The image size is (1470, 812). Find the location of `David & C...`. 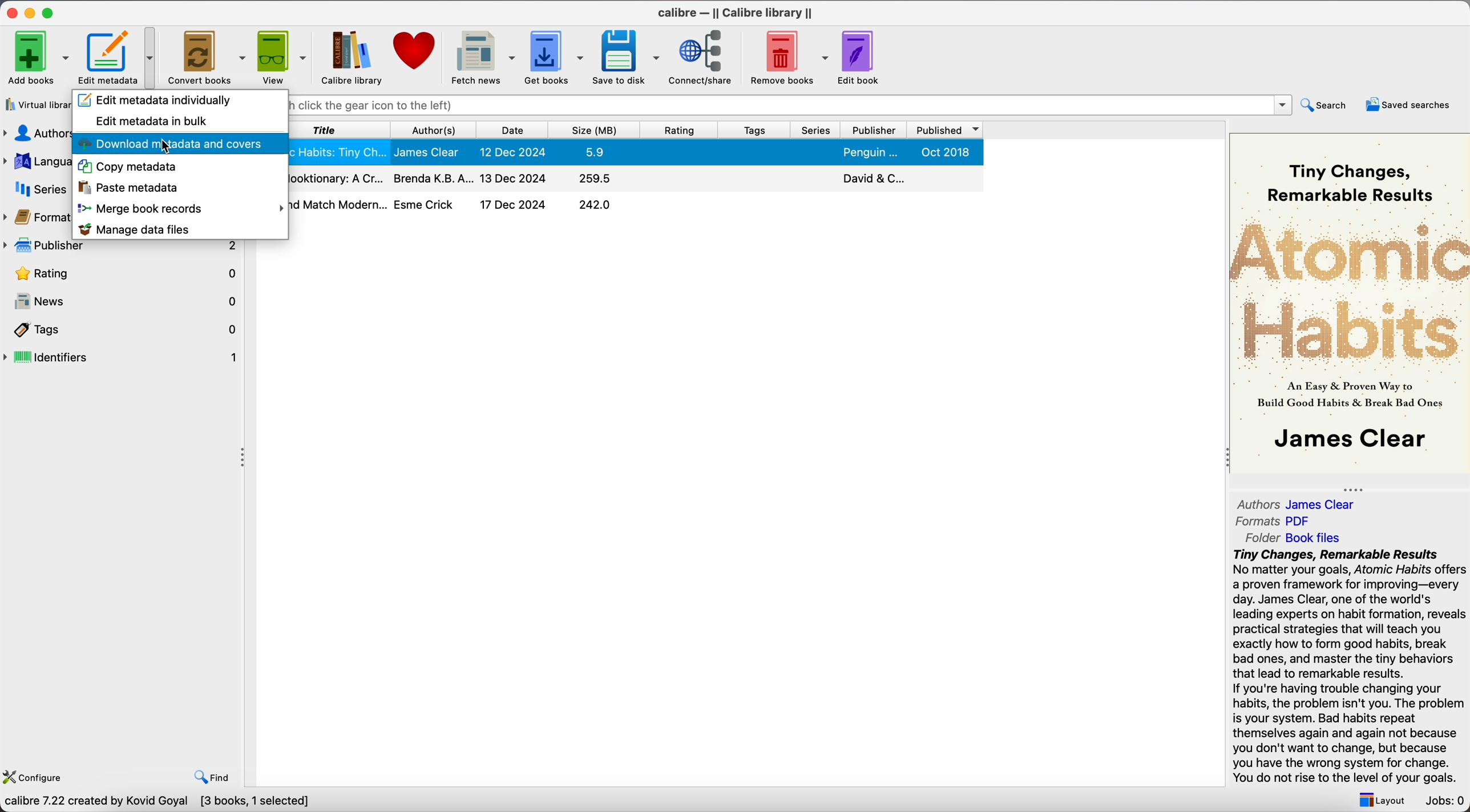

David & C... is located at coordinates (871, 178).